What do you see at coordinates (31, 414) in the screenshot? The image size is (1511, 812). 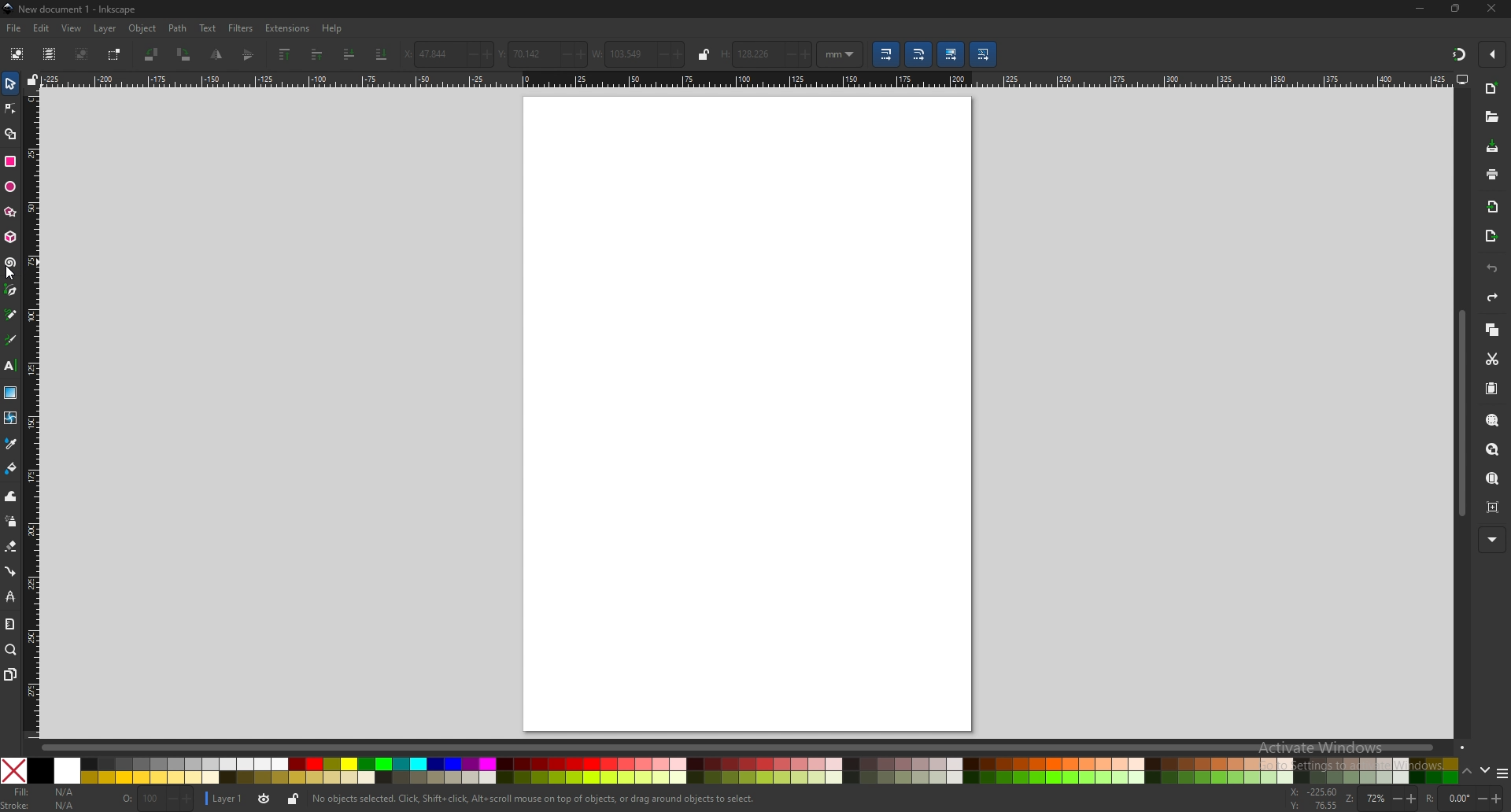 I see `vertical scale` at bounding box center [31, 414].